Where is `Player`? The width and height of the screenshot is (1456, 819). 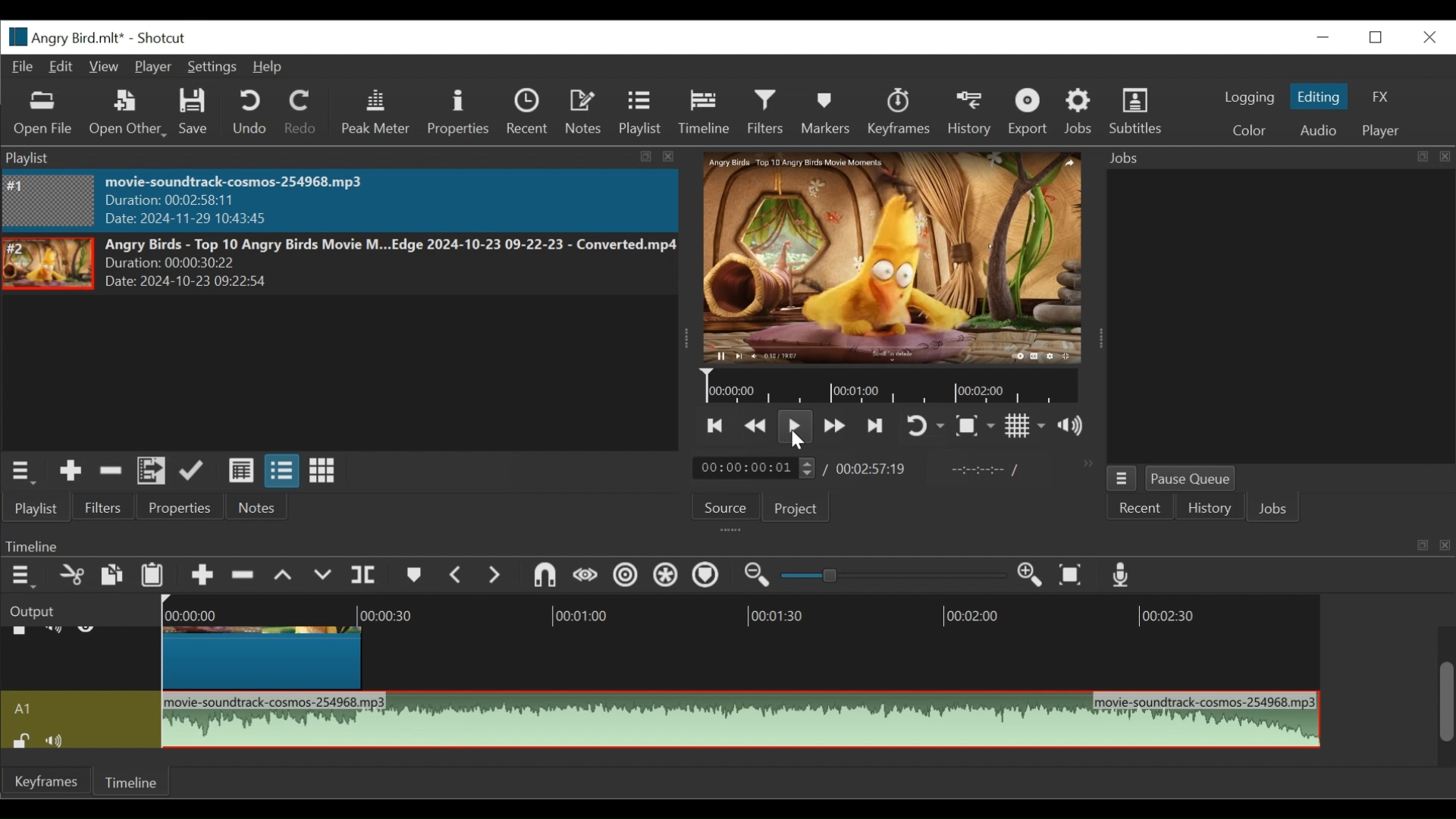 Player is located at coordinates (151, 67).